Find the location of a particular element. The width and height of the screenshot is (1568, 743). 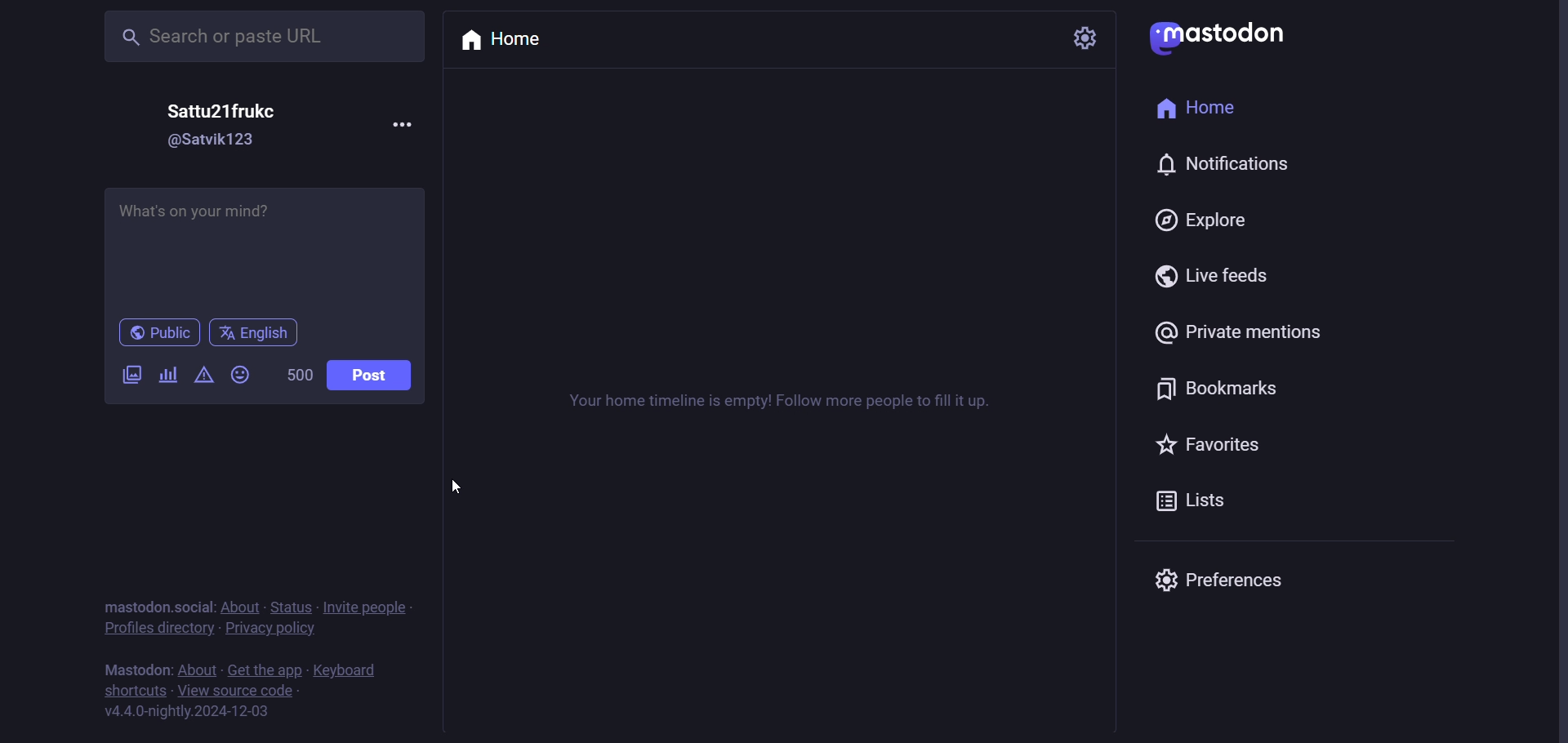

home is located at coordinates (1197, 108).